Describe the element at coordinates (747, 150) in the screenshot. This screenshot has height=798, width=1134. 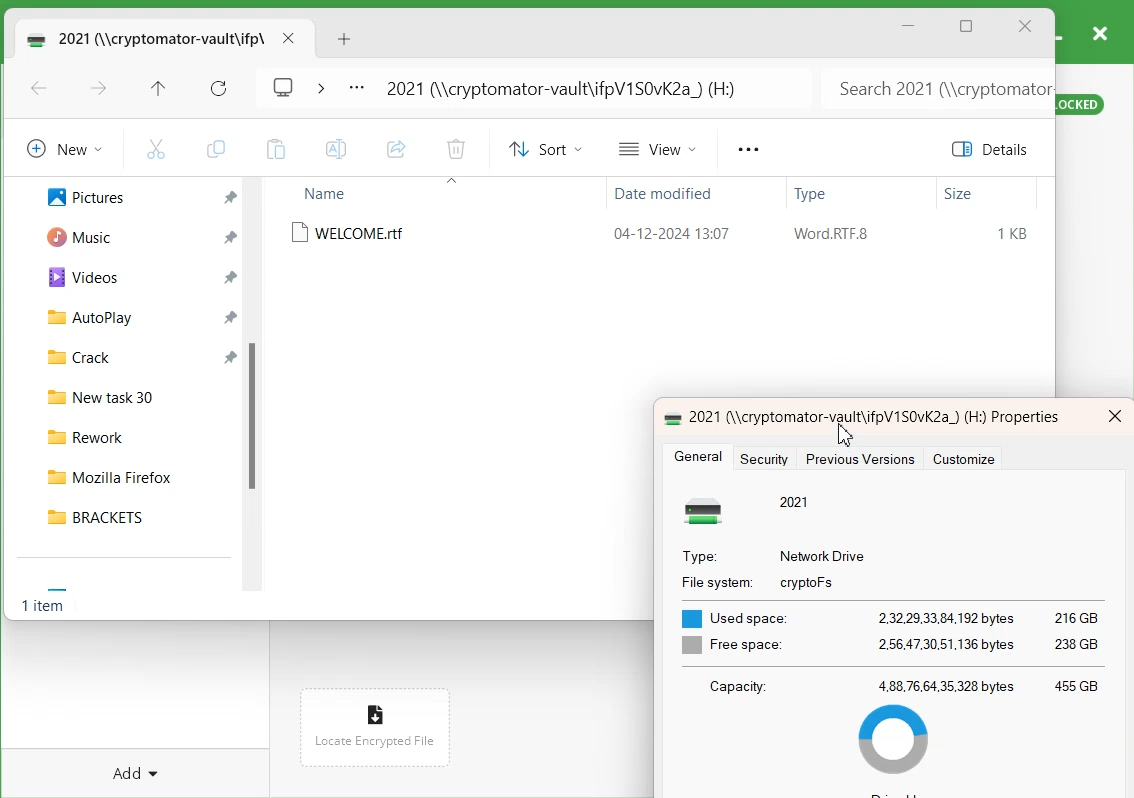
I see `More` at that location.